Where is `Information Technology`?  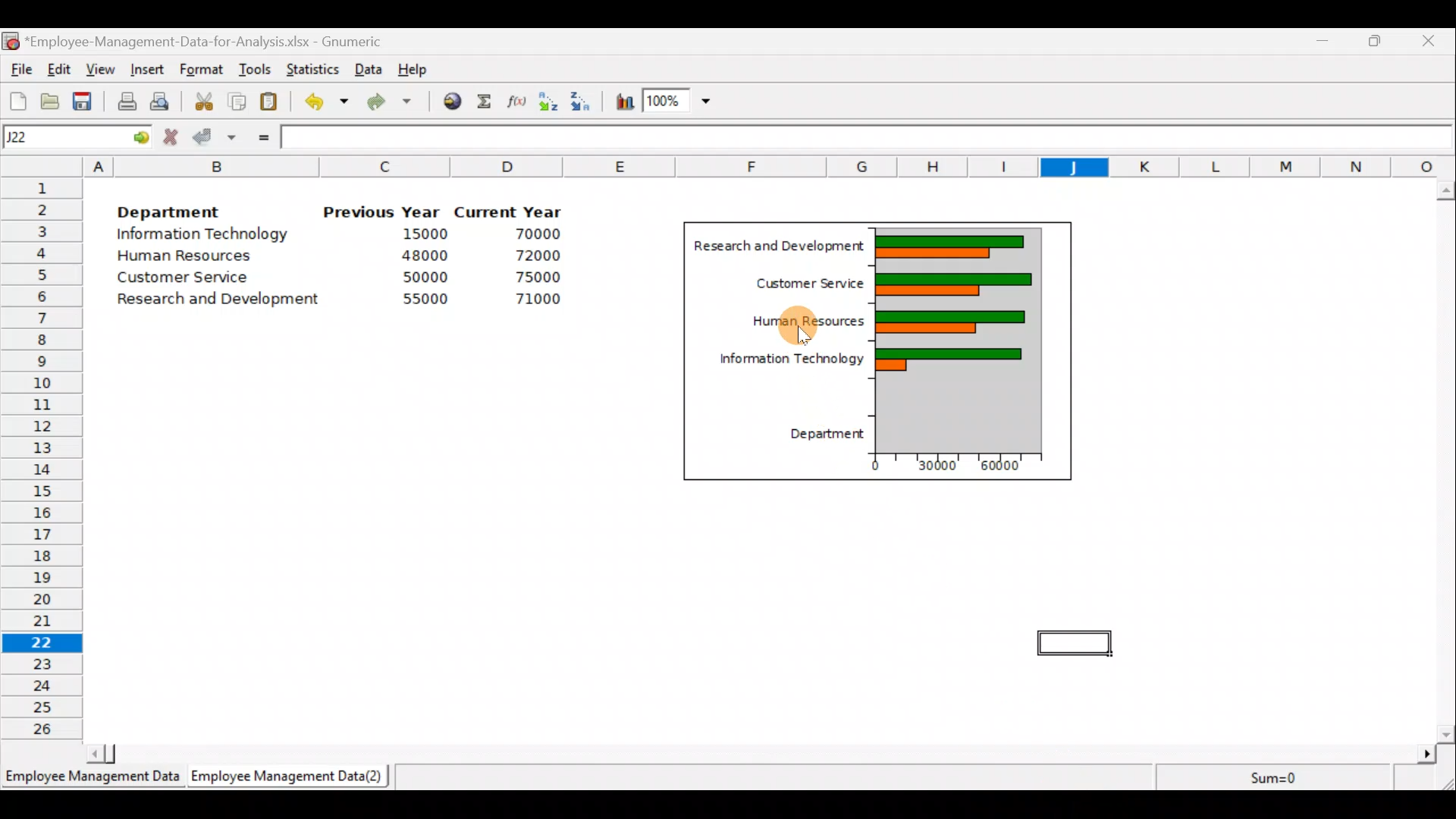 Information Technology is located at coordinates (203, 237).